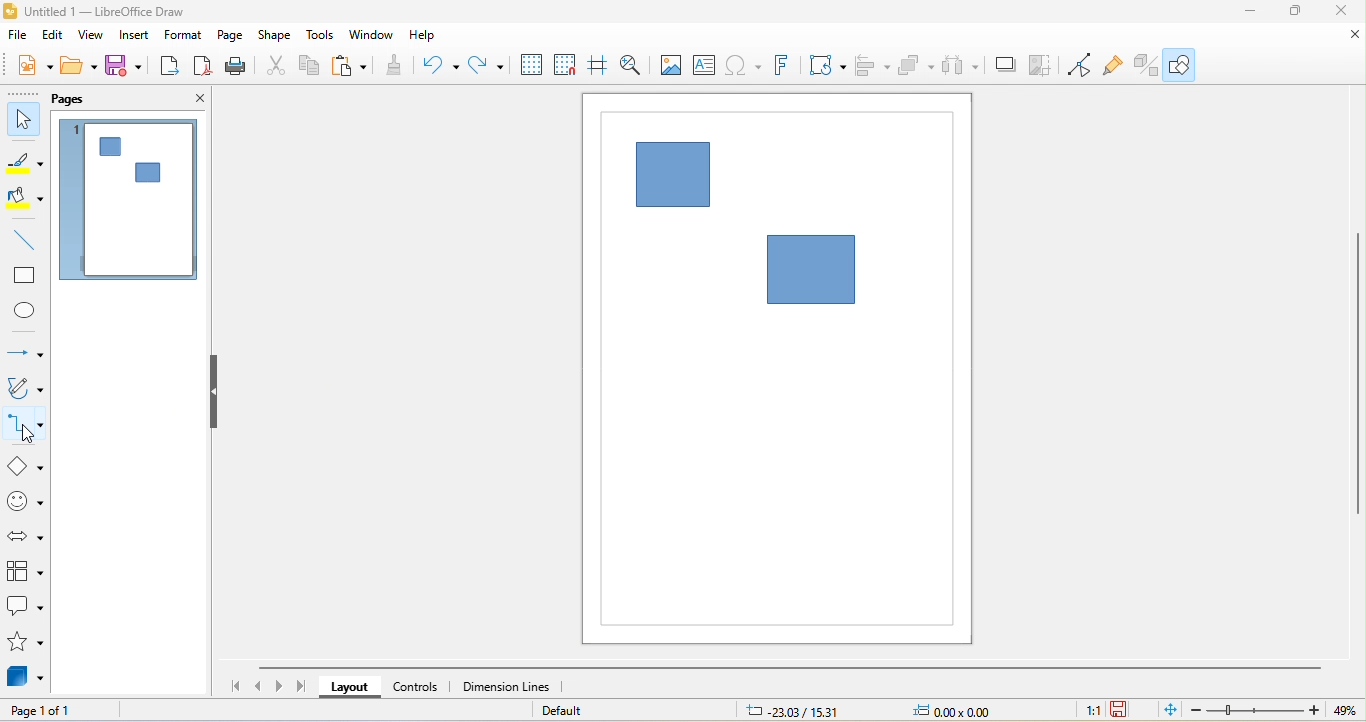 This screenshot has height=722, width=1366. Describe the element at coordinates (92, 36) in the screenshot. I see `view` at that location.